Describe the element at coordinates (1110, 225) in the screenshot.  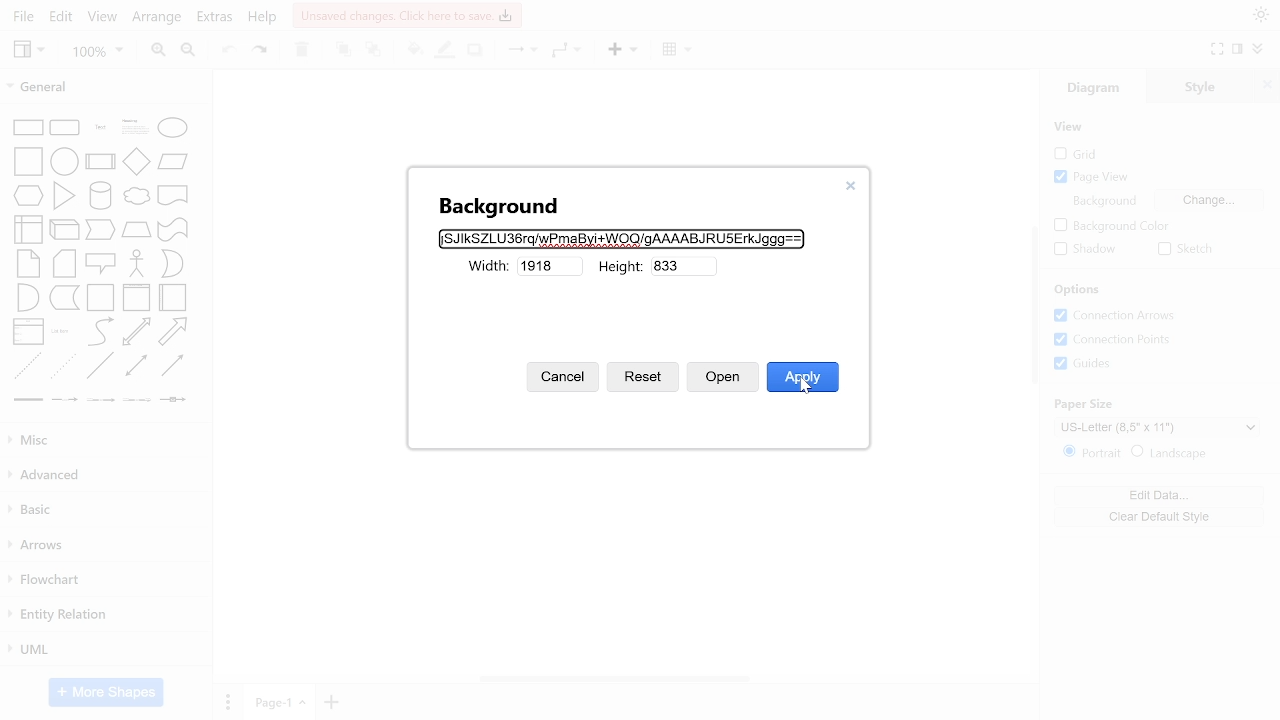
I see `background color` at that location.